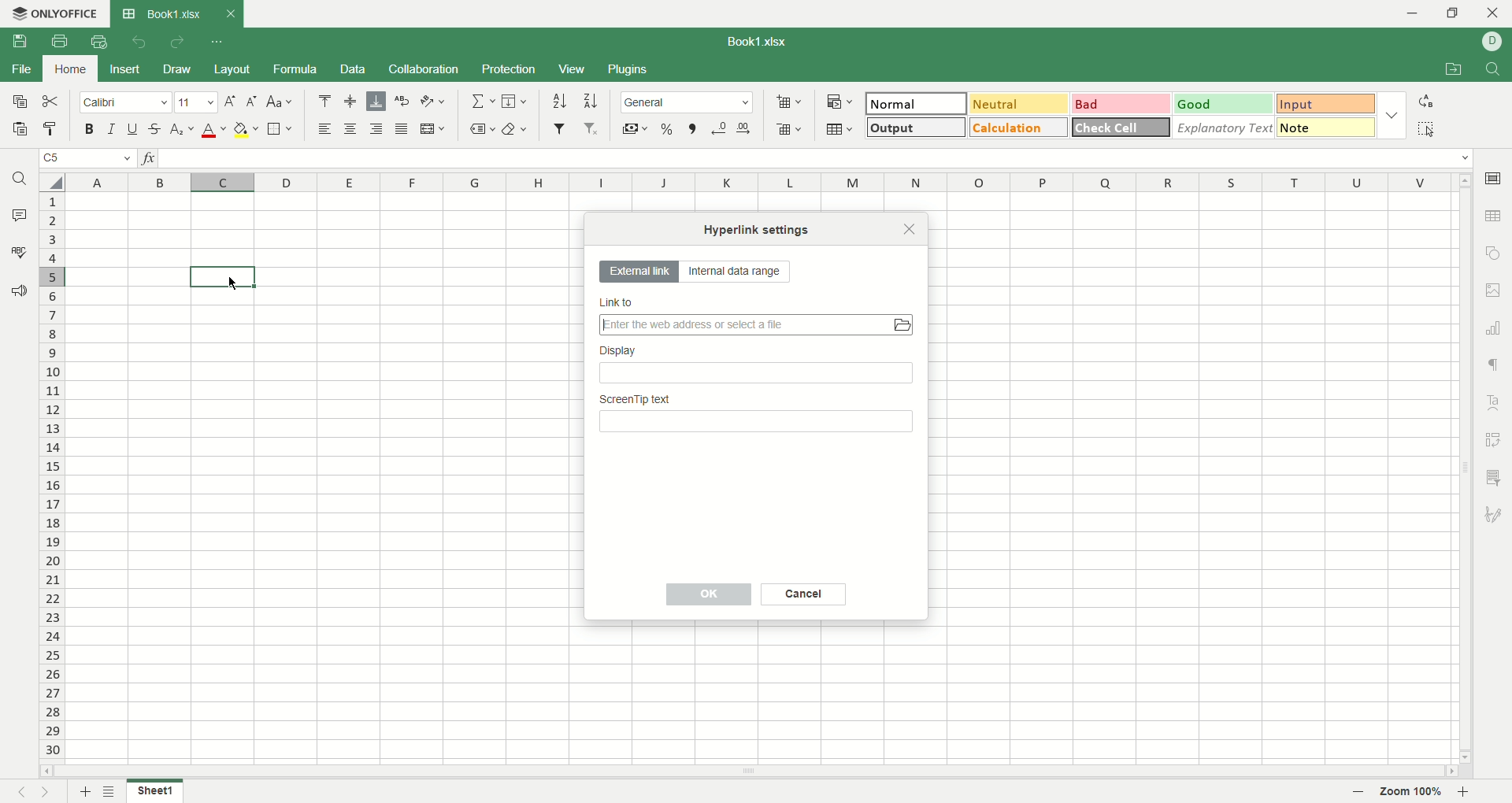  I want to click on quick print, so click(98, 42).